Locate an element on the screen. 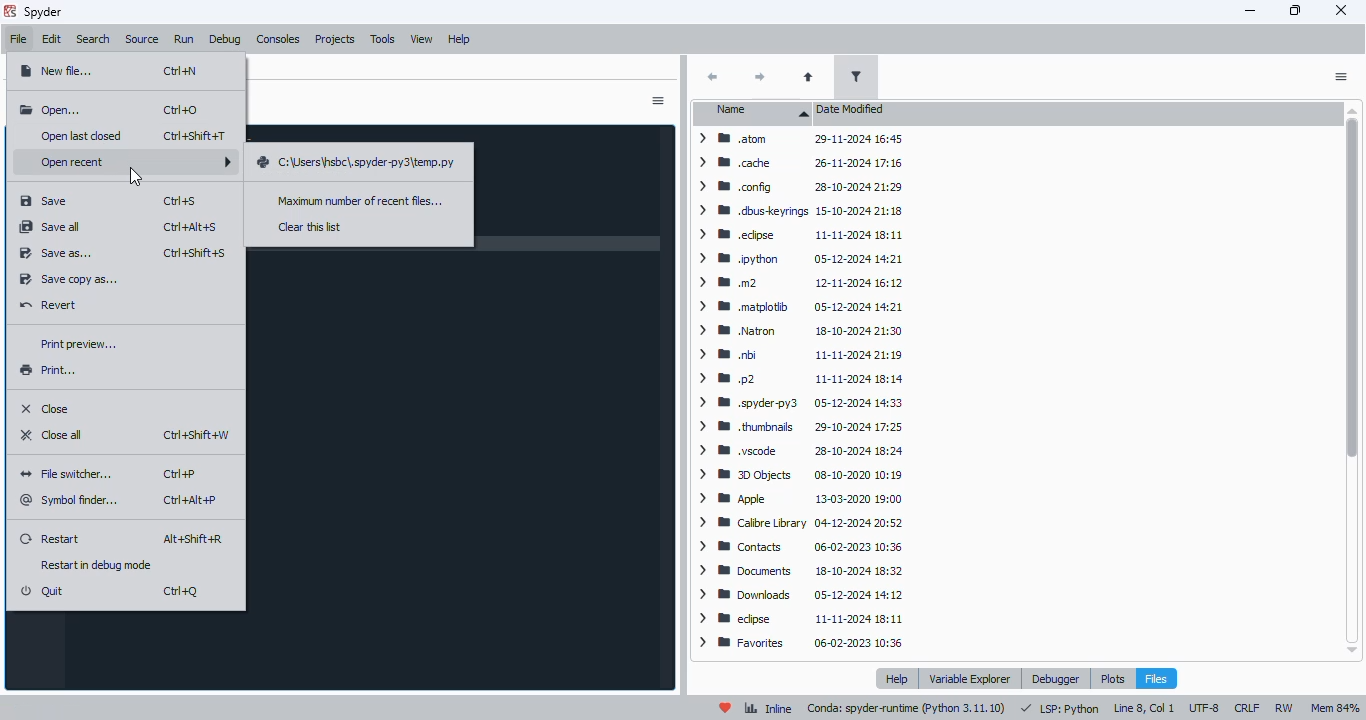 This screenshot has width=1366, height=720. restart in debug mode is located at coordinates (98, 565).